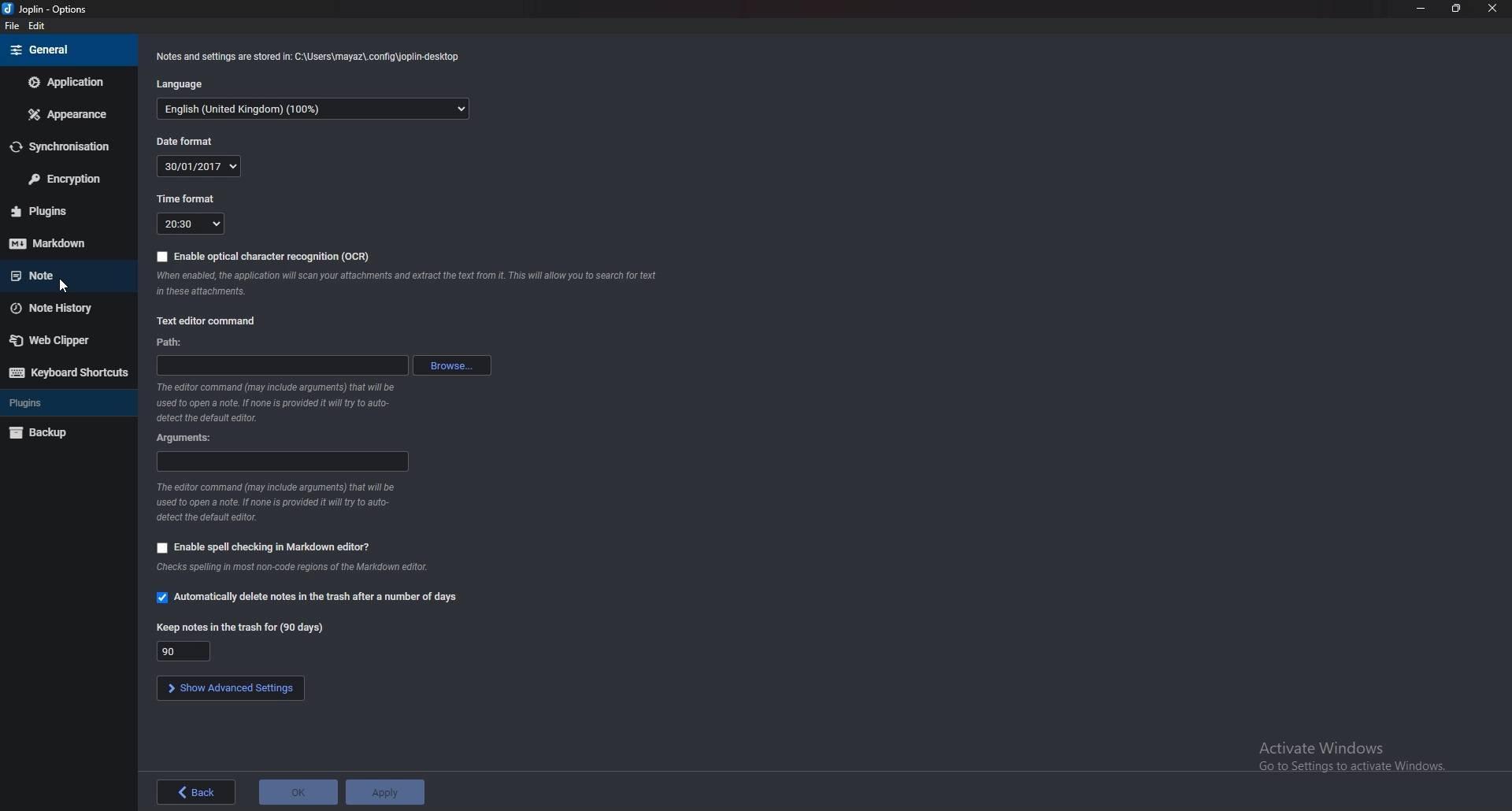 The image size is (1512, 811). I want to click on ok, so click(300, 792).